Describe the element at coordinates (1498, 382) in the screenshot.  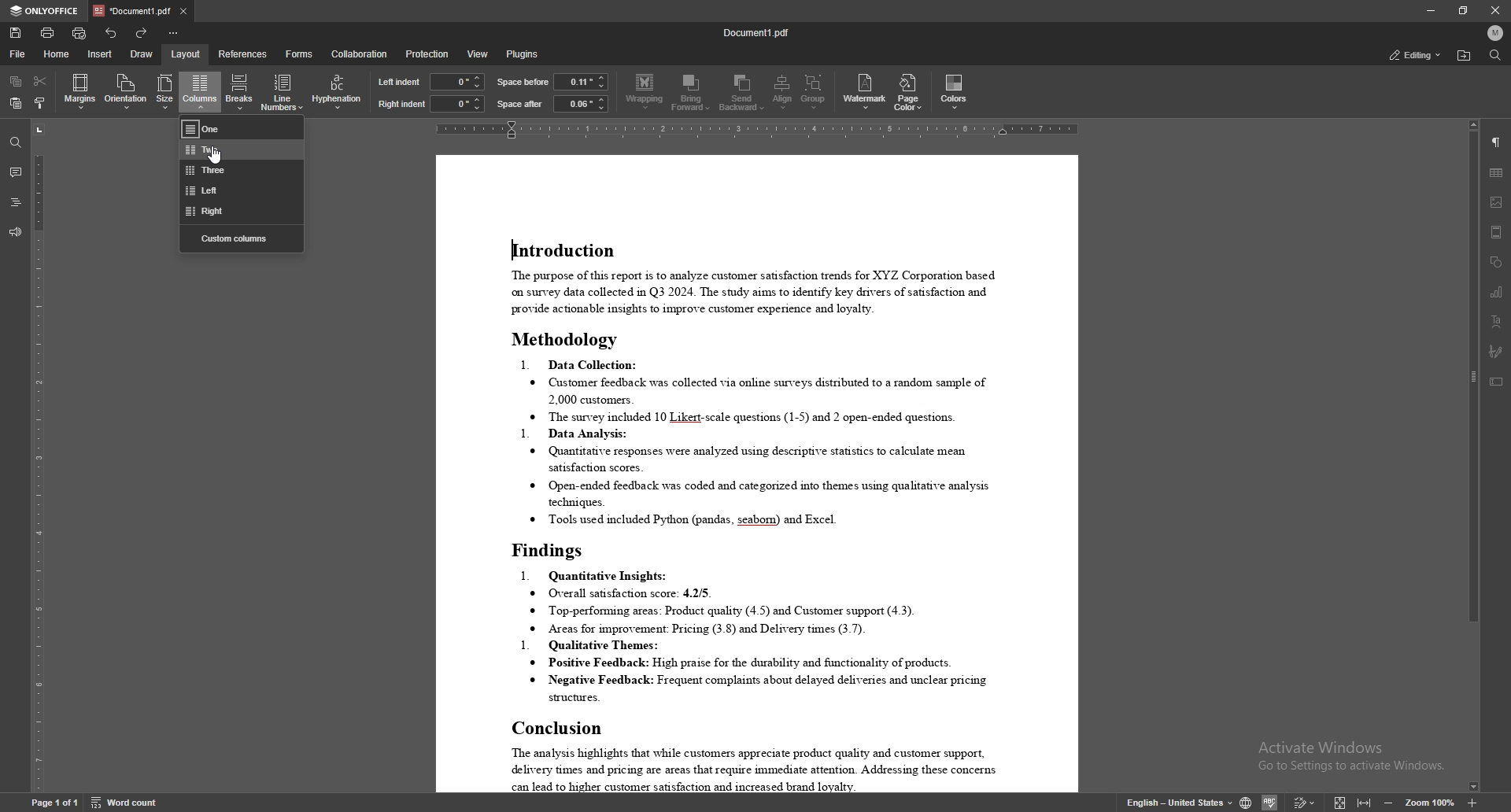
I see `text box` at that location.